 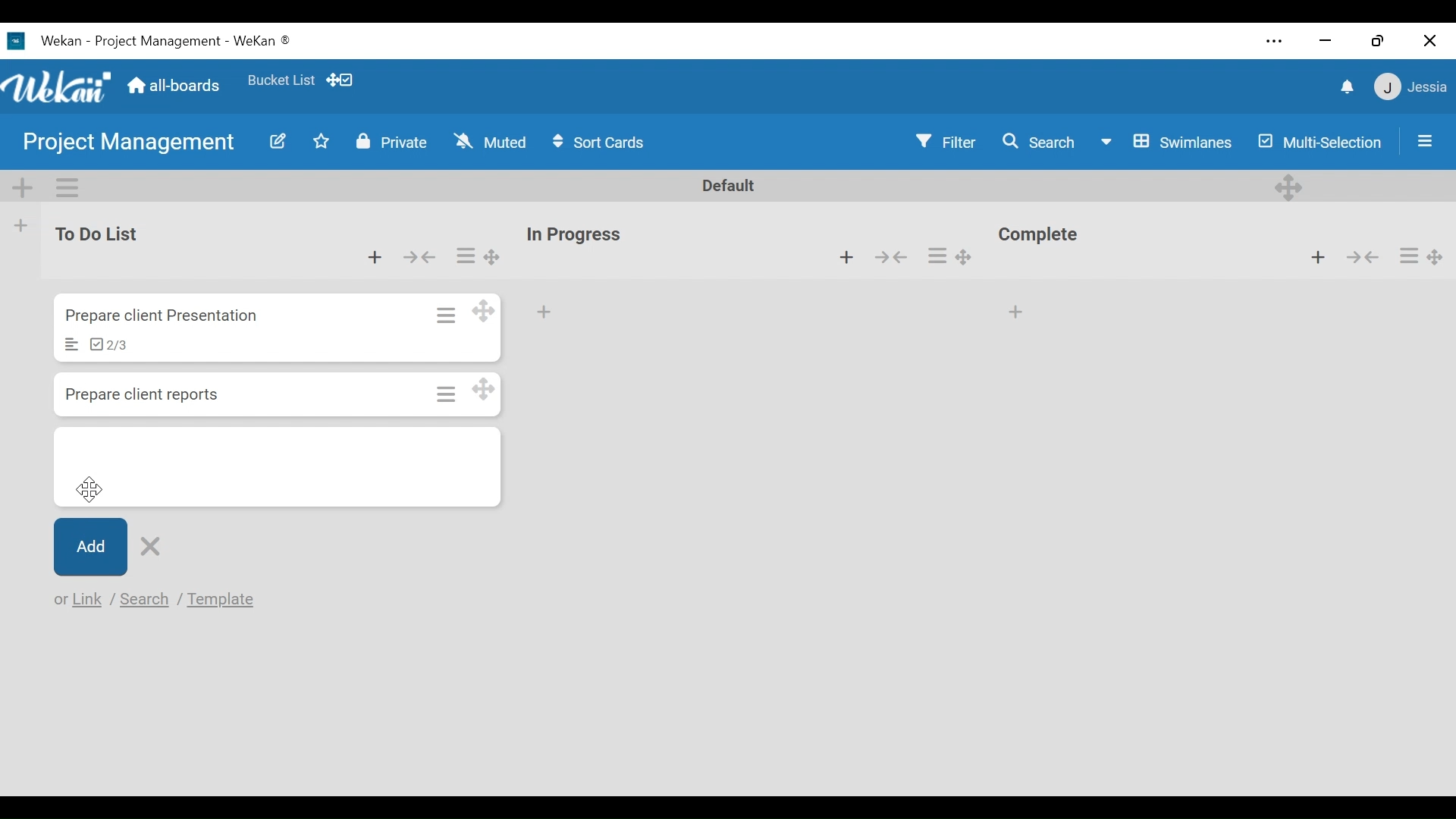 What do you see at coordinates (1044, 237) in the screenshot?
I see `Complete` at bounding box center [1044, 237].